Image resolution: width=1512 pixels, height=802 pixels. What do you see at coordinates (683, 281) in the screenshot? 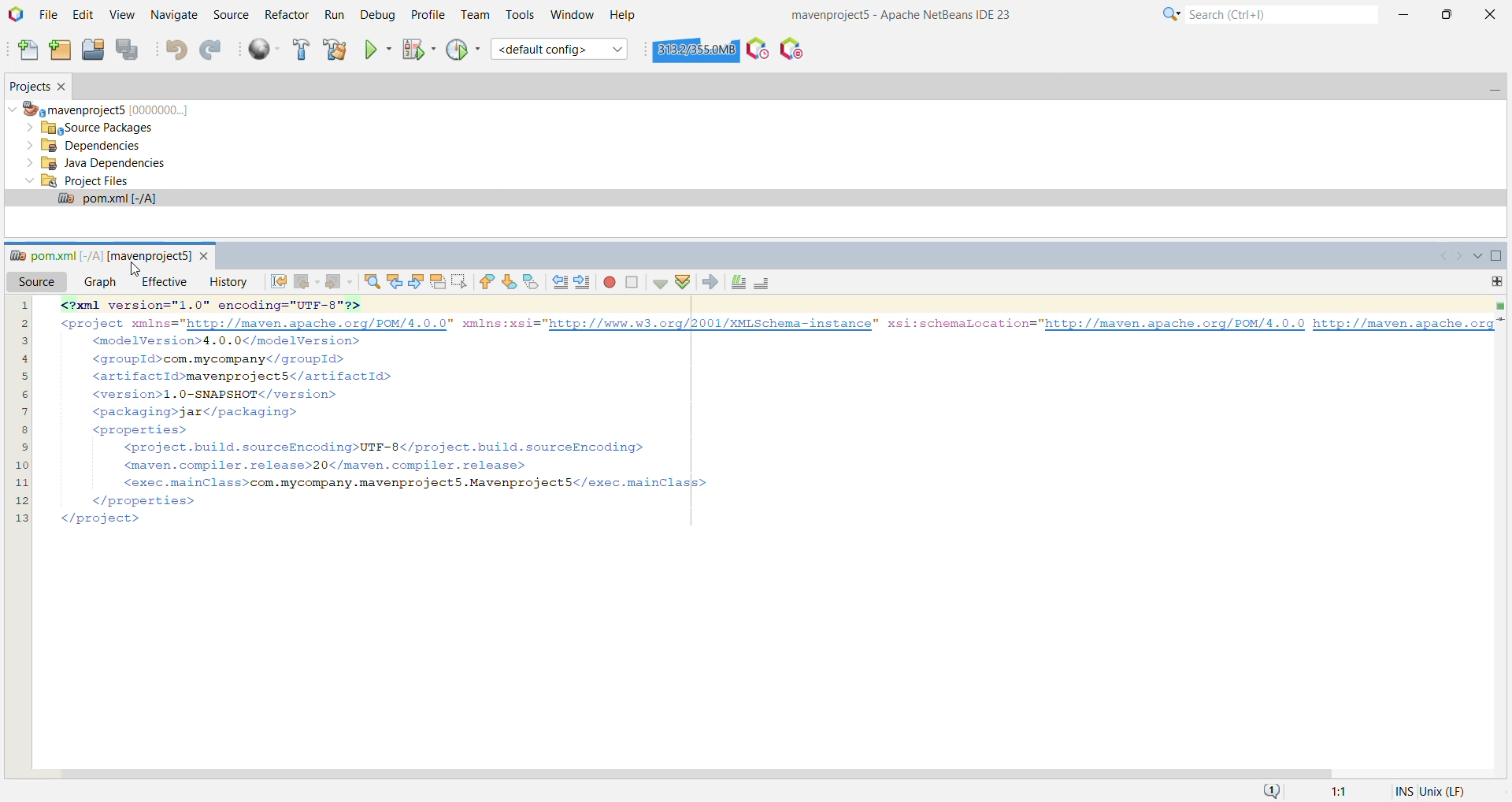
I see `Validate XML` at bounding box center [683, 281].